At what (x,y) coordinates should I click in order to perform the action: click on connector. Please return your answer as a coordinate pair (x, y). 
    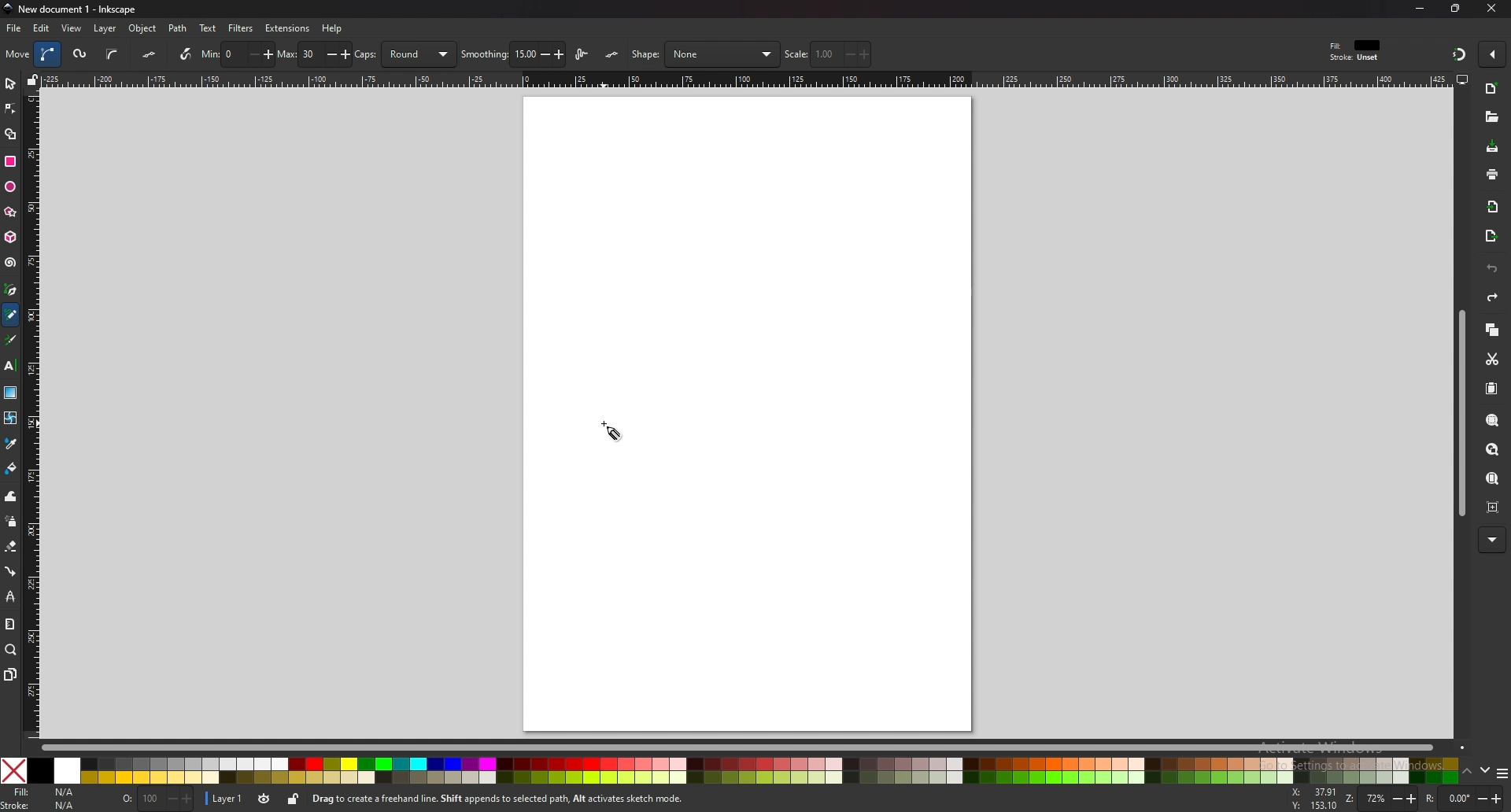
    Looking at the image, I should click on (10, 571).